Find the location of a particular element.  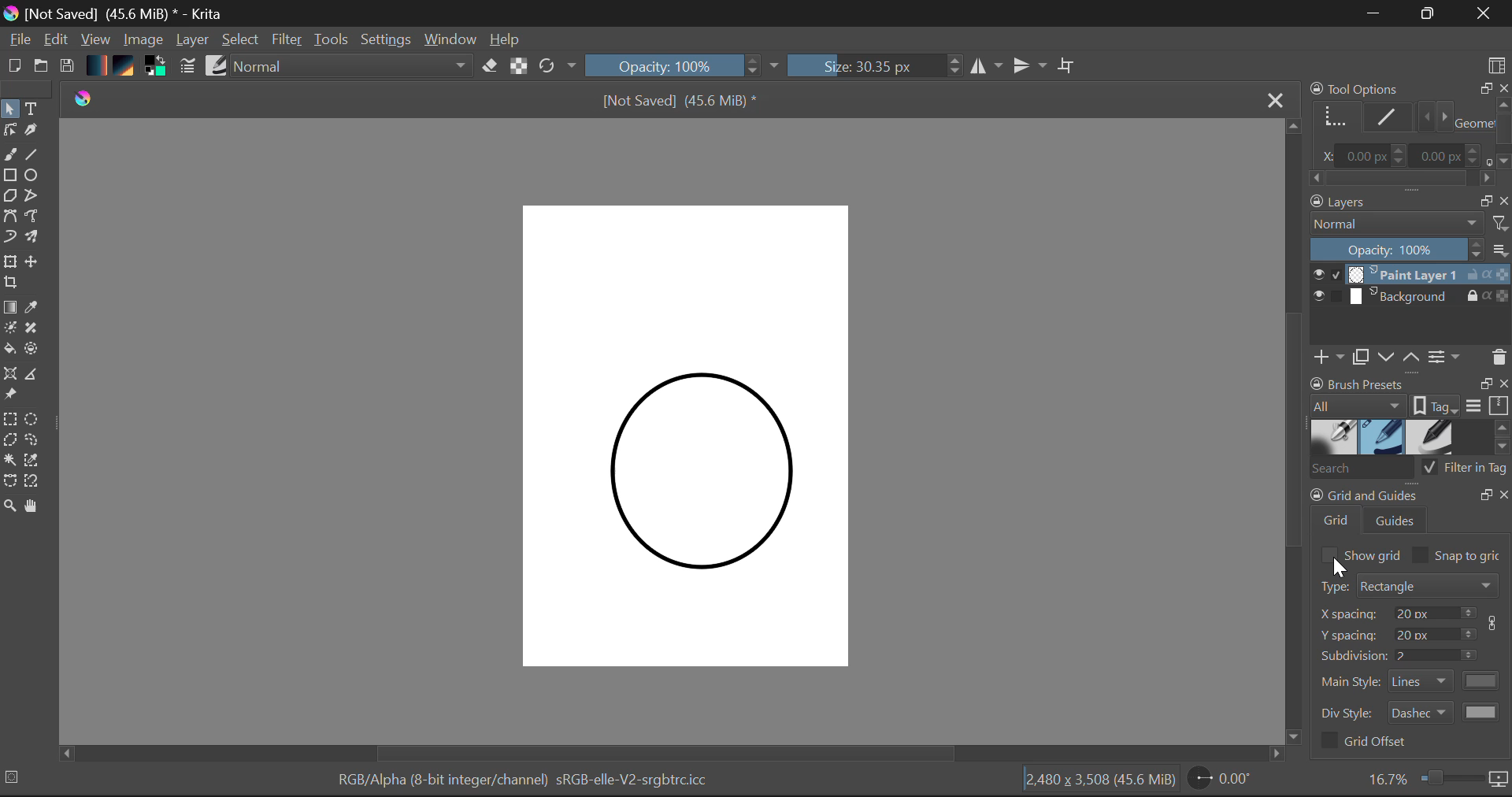

Scroll Bar is located at coordinates (1293, 432).